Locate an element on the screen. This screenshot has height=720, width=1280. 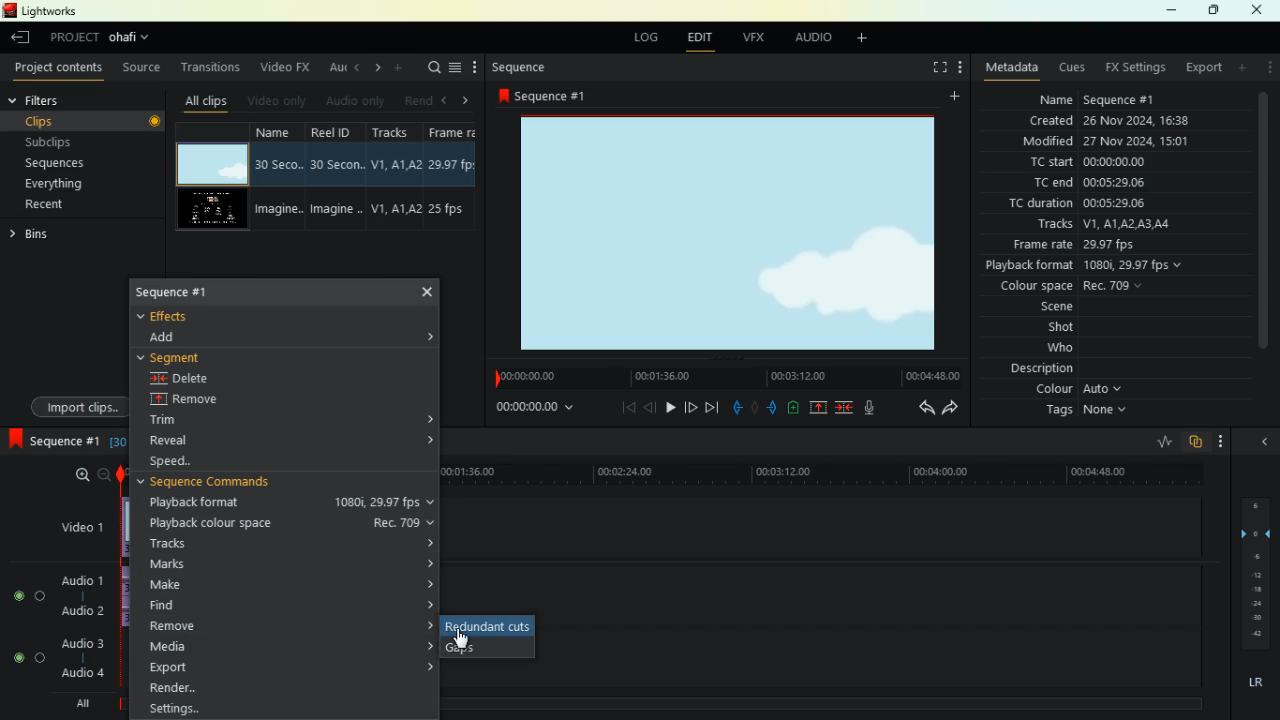
Accordion is located at coordinates (430, 417).